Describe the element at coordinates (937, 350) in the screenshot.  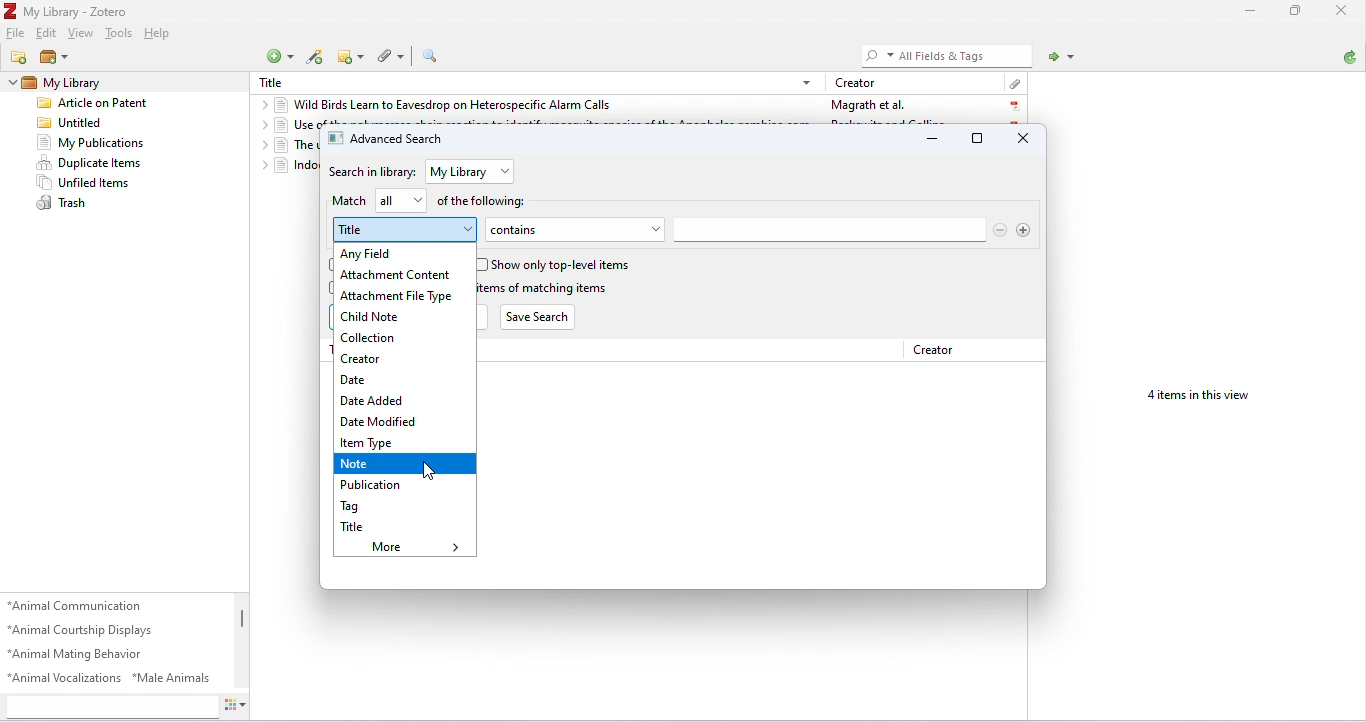
I see `Creator` at that location.